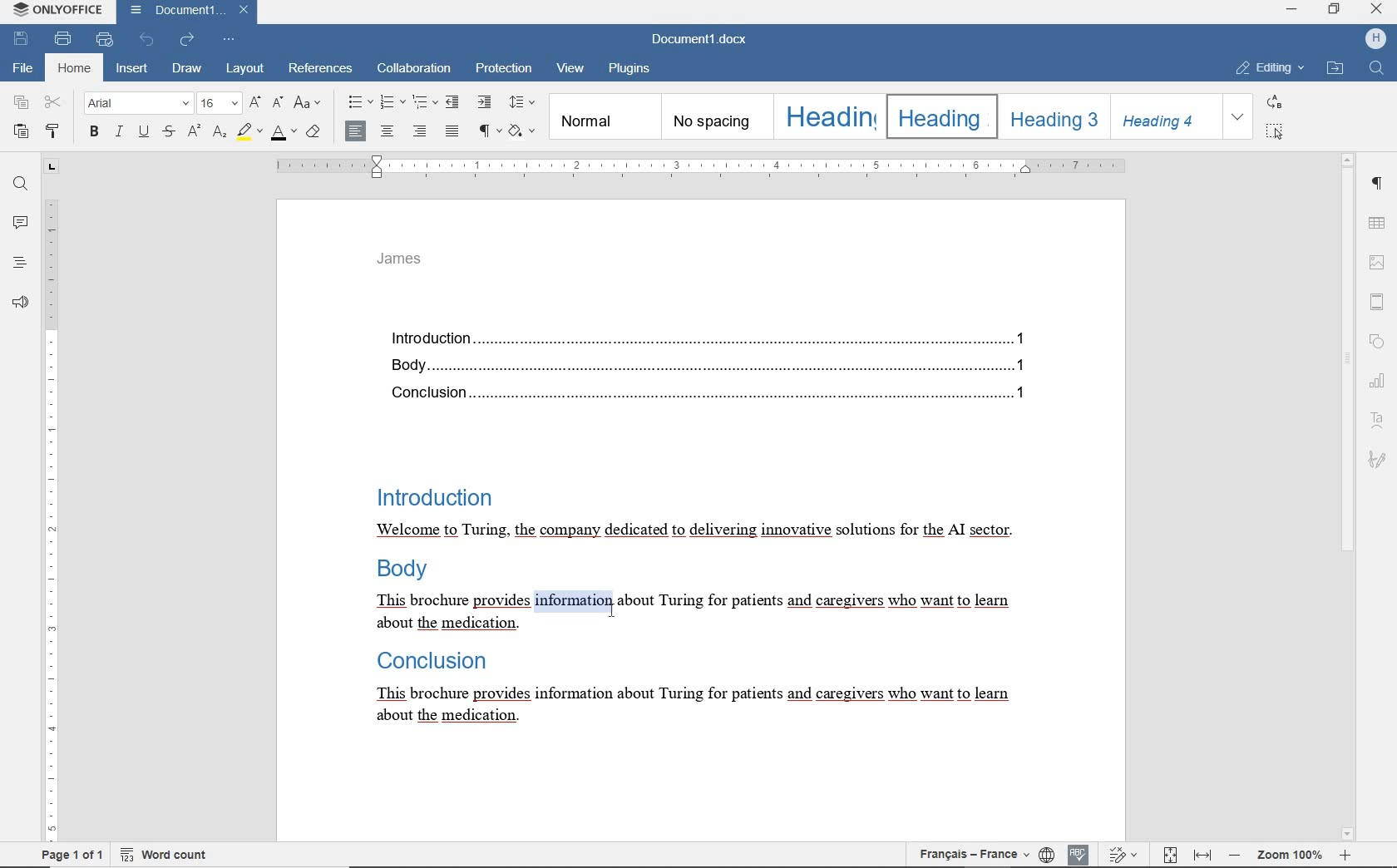 The image size is (1397, 868). What do you see at coordinates (276, 104) in the screenshot?
I see `DECREMENT FONT SIZE` at bounding box center [276, 104].